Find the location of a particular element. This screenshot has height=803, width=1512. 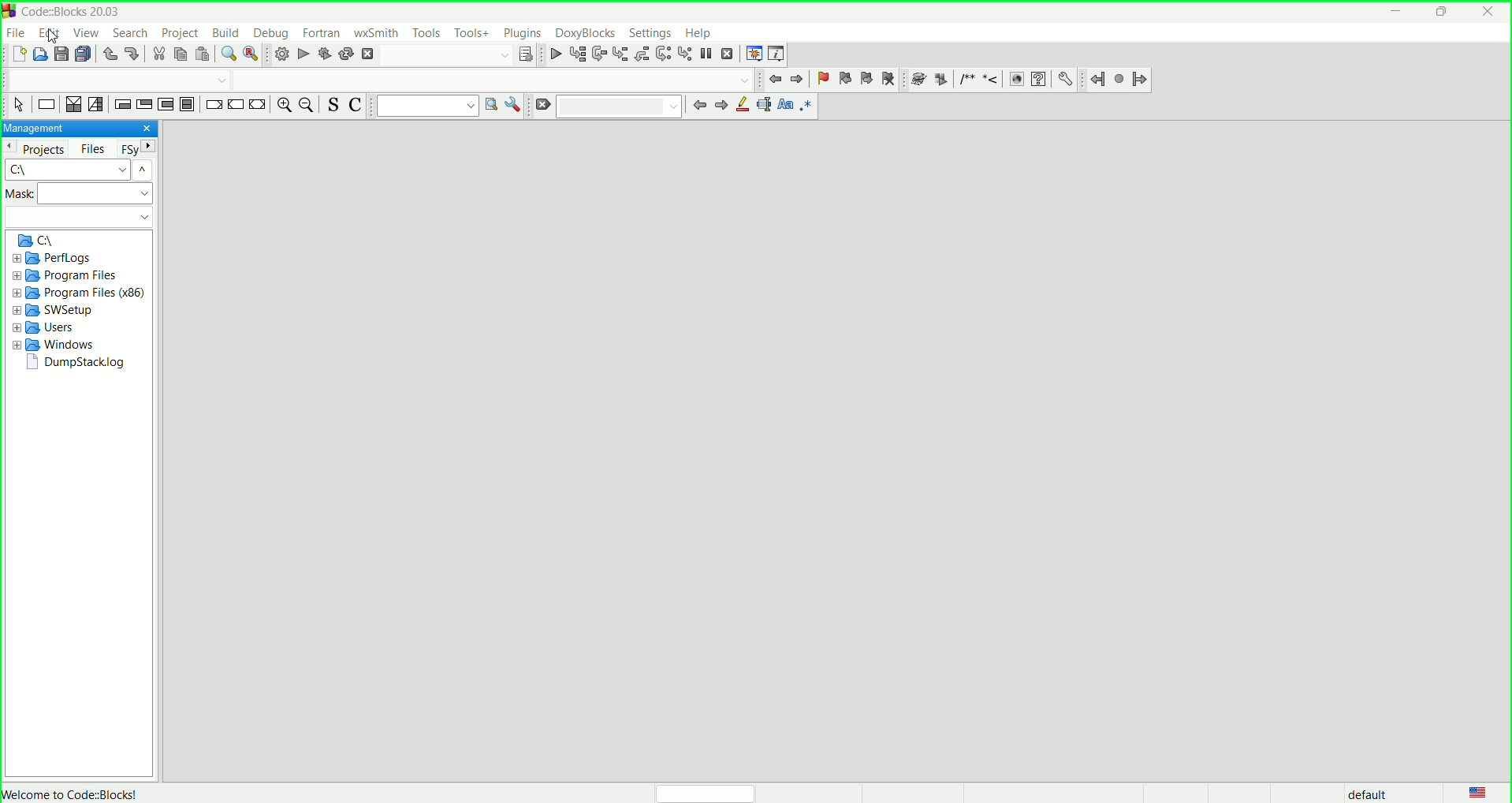

next is located at coordinates (721, 106).